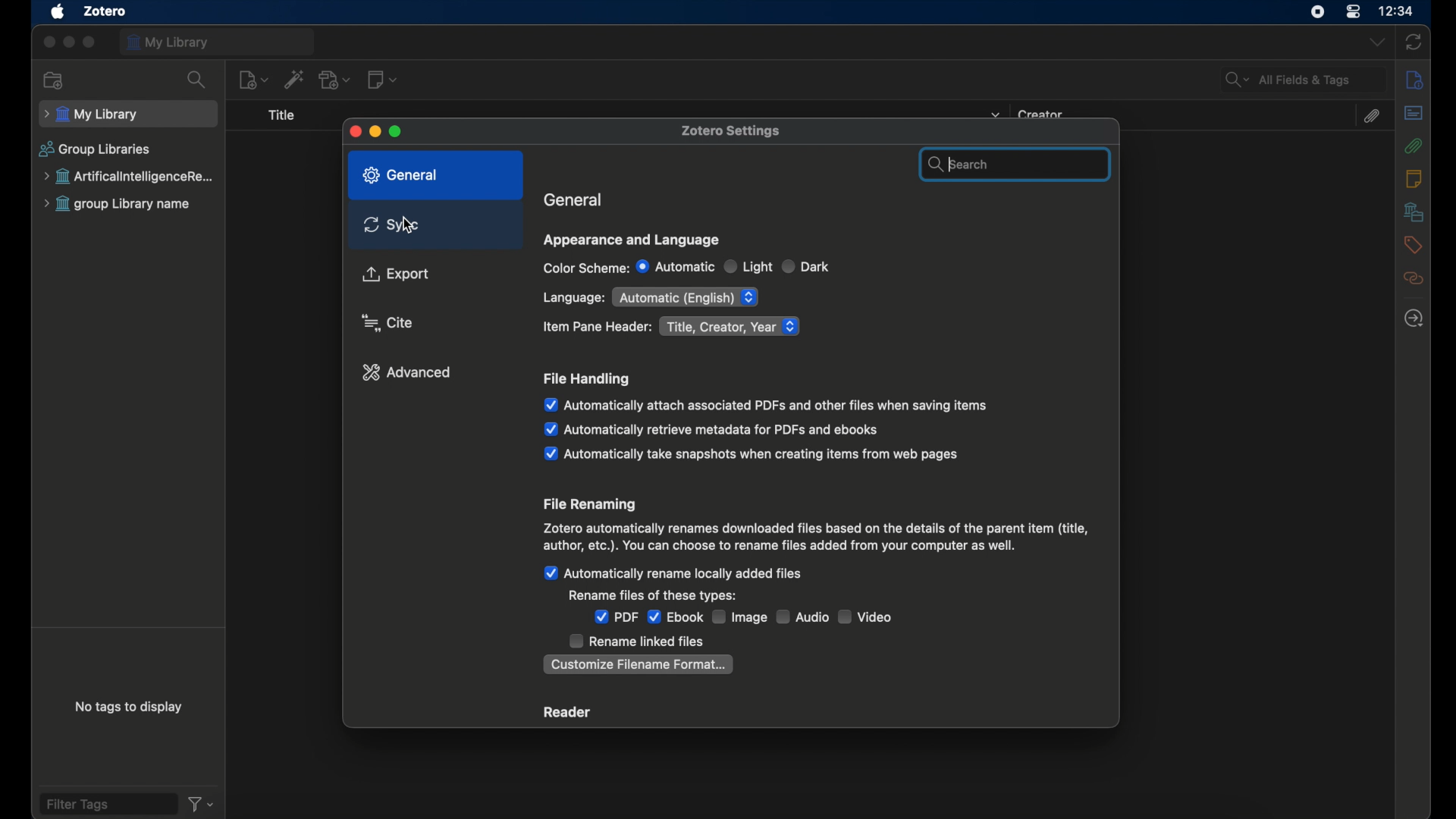 The height and width of the screenshot is (819, 1456). I want to click on apple icon, so click(57, 12).